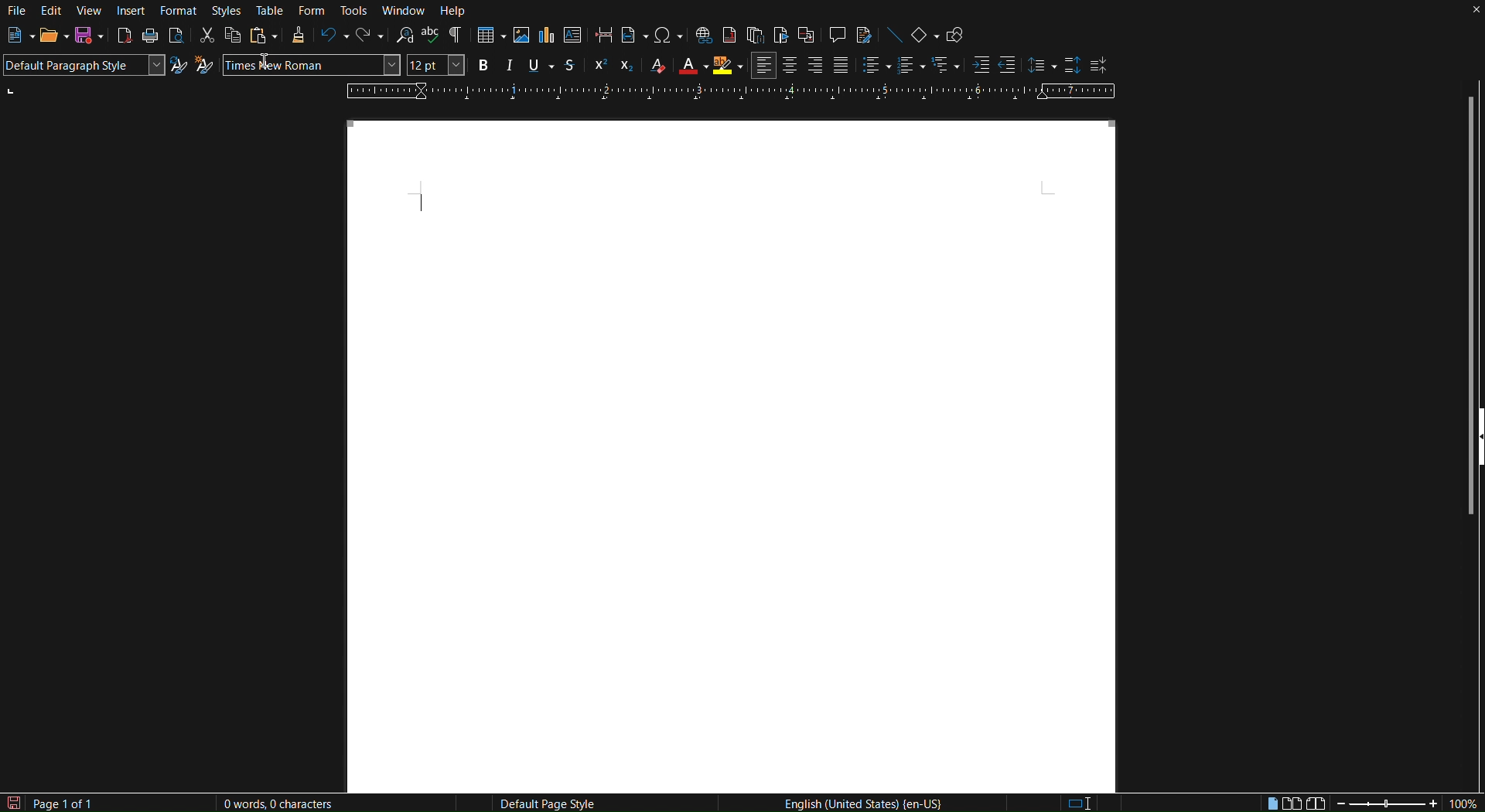 The width and height of the screenshot is (1485, 812). Describe the element at coordinates (176, 10) in the screenshot. I see `Format` at that location.